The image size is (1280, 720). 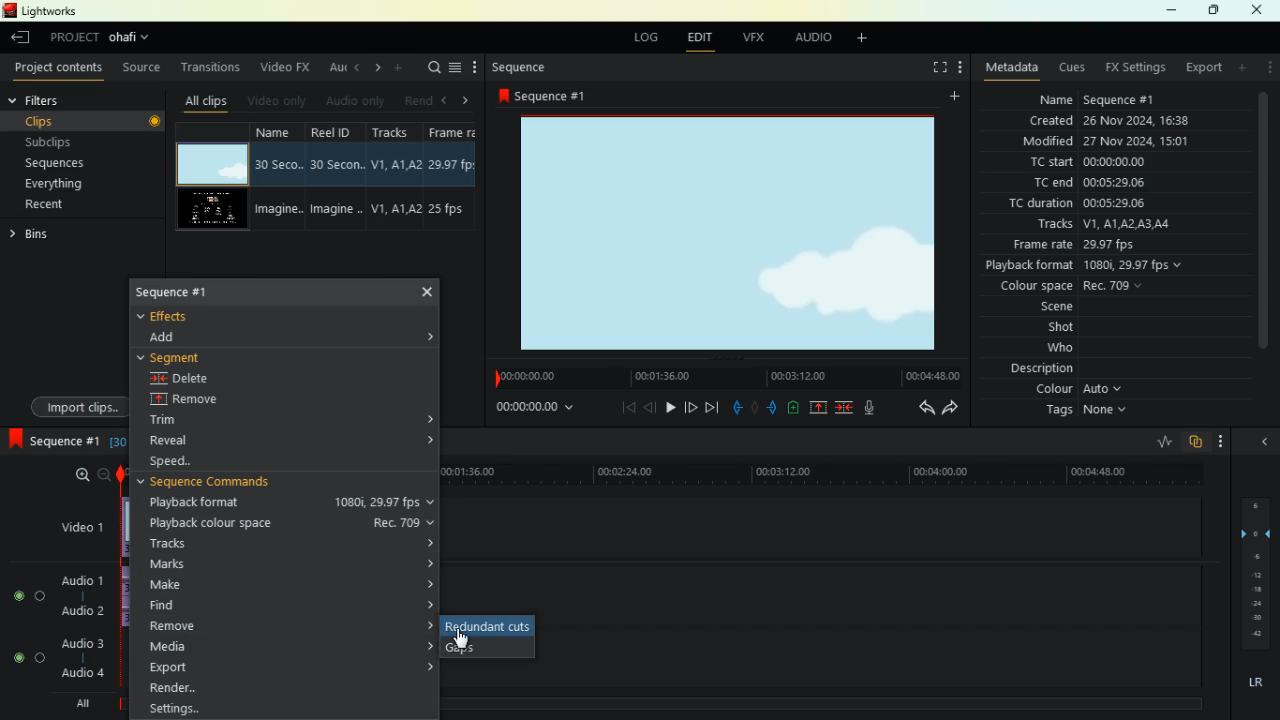 I want to click on more, so click(x=474, y=67).